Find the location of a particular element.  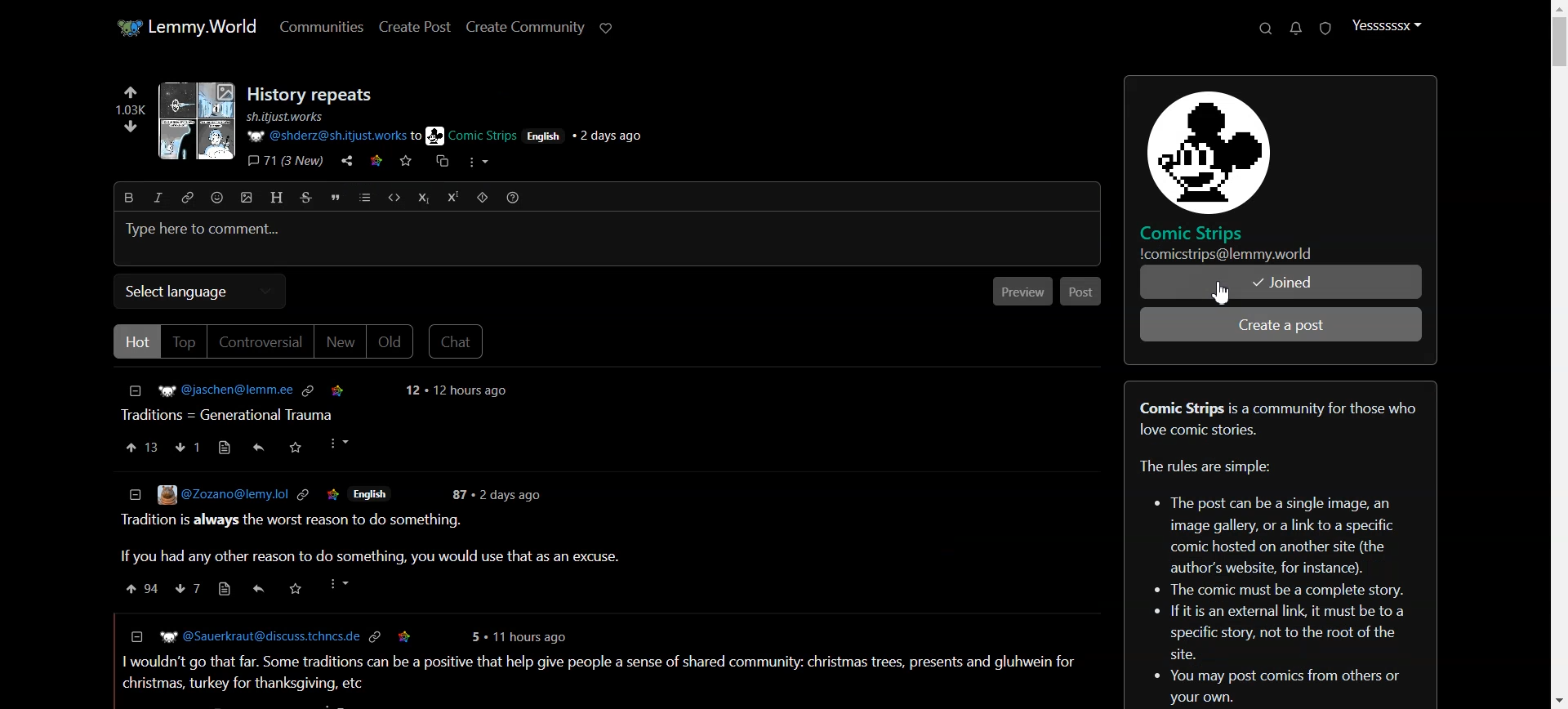

Joined is located at coordinates (1281, 283).